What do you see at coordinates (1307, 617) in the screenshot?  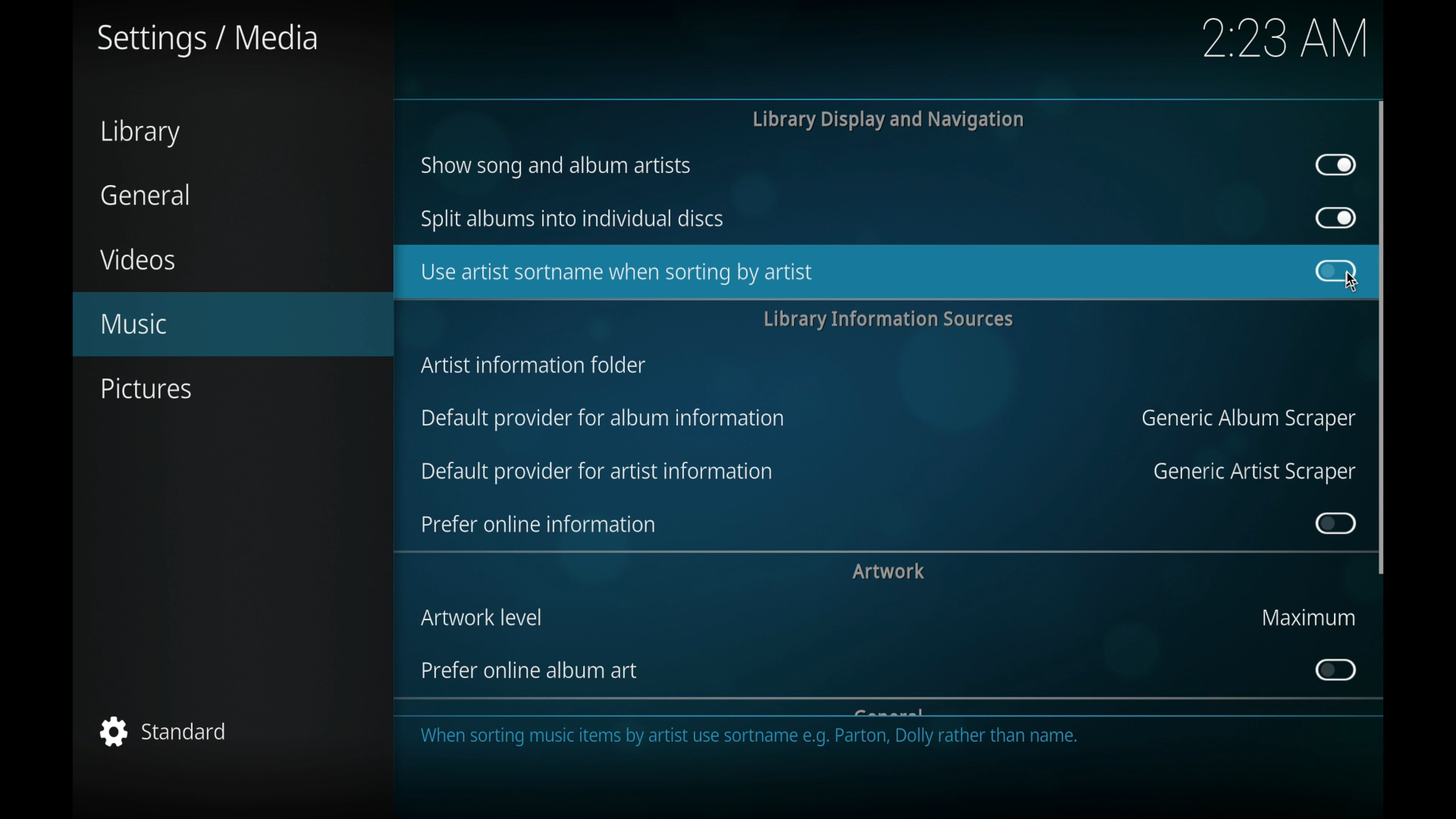 I see `maximum` at bounding box center [1307, 617].